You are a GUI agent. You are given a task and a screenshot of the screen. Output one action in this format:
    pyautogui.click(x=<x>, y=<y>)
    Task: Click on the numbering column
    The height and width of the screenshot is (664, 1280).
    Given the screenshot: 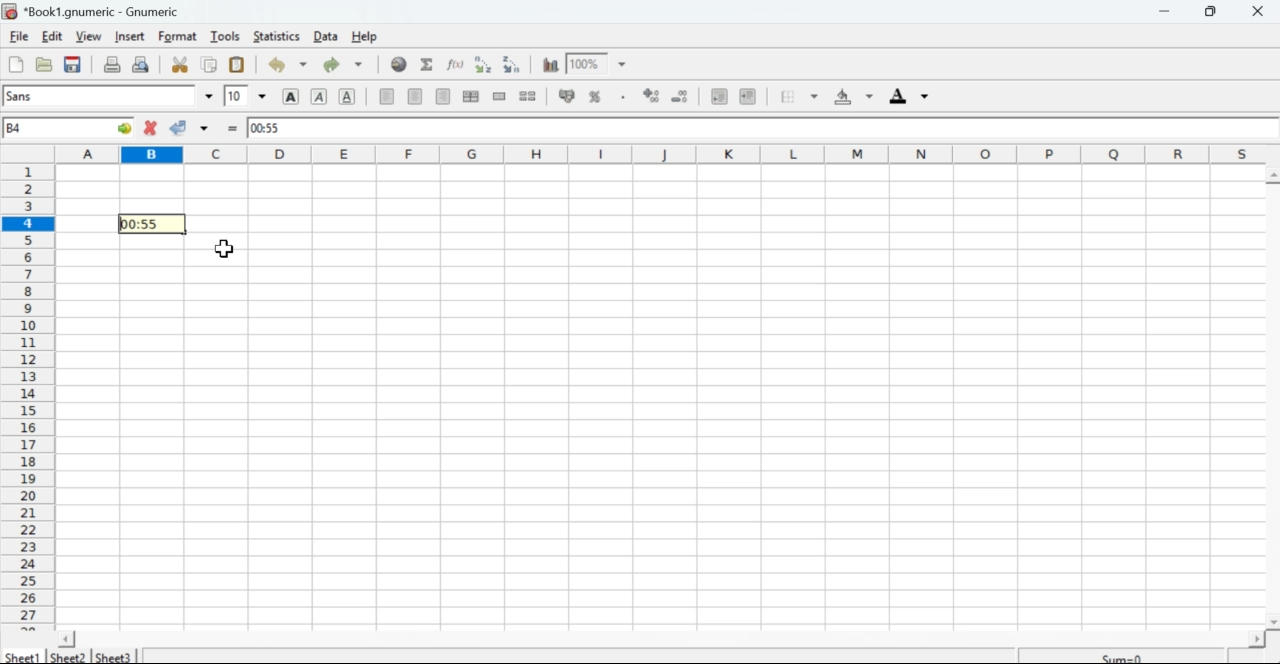 What is the action you would take?
    pyautogui.click(x=28, y=397)
    